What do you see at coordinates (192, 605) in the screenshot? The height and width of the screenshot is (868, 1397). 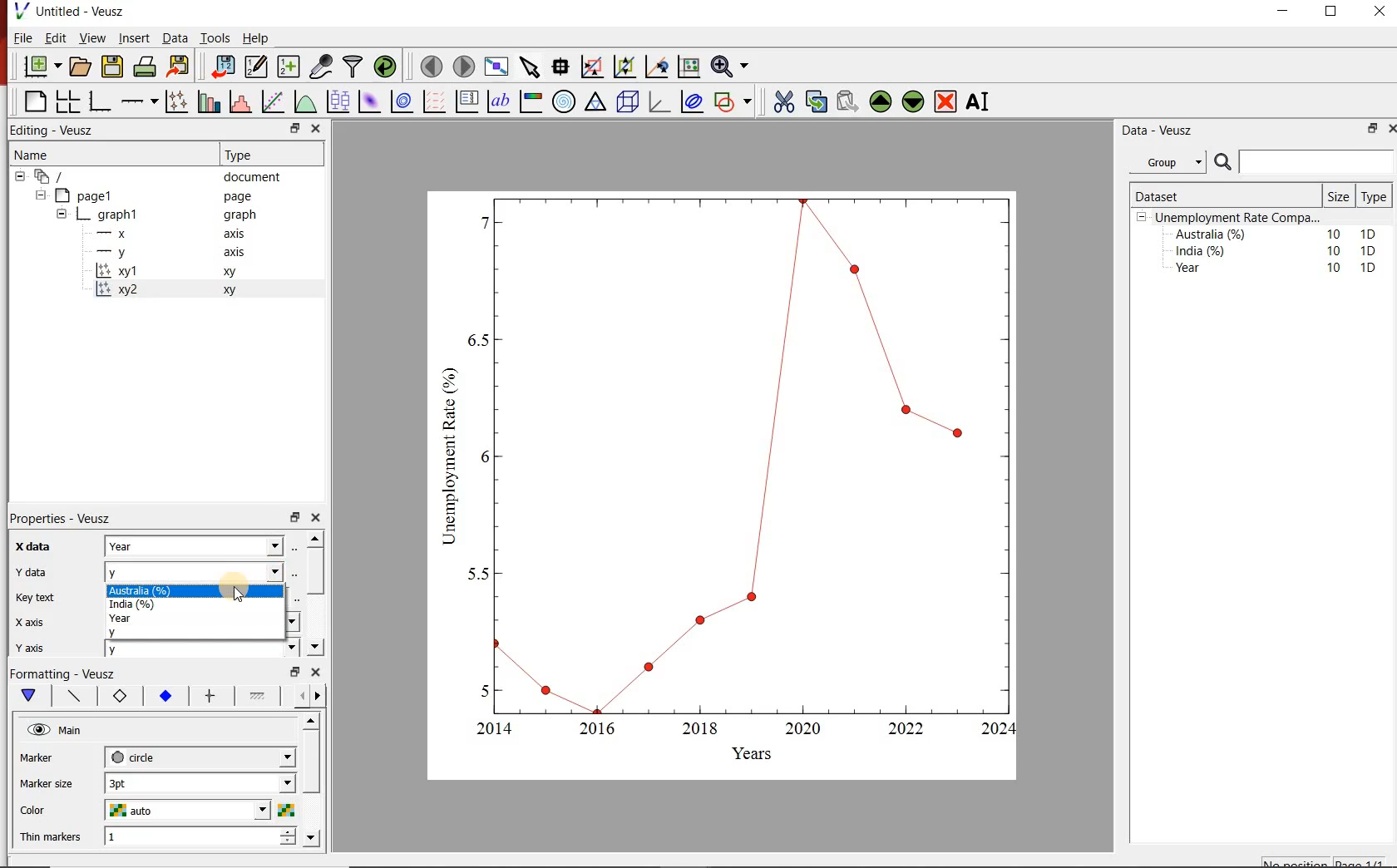 I see `India (%)` at bounding box center [192, 605].